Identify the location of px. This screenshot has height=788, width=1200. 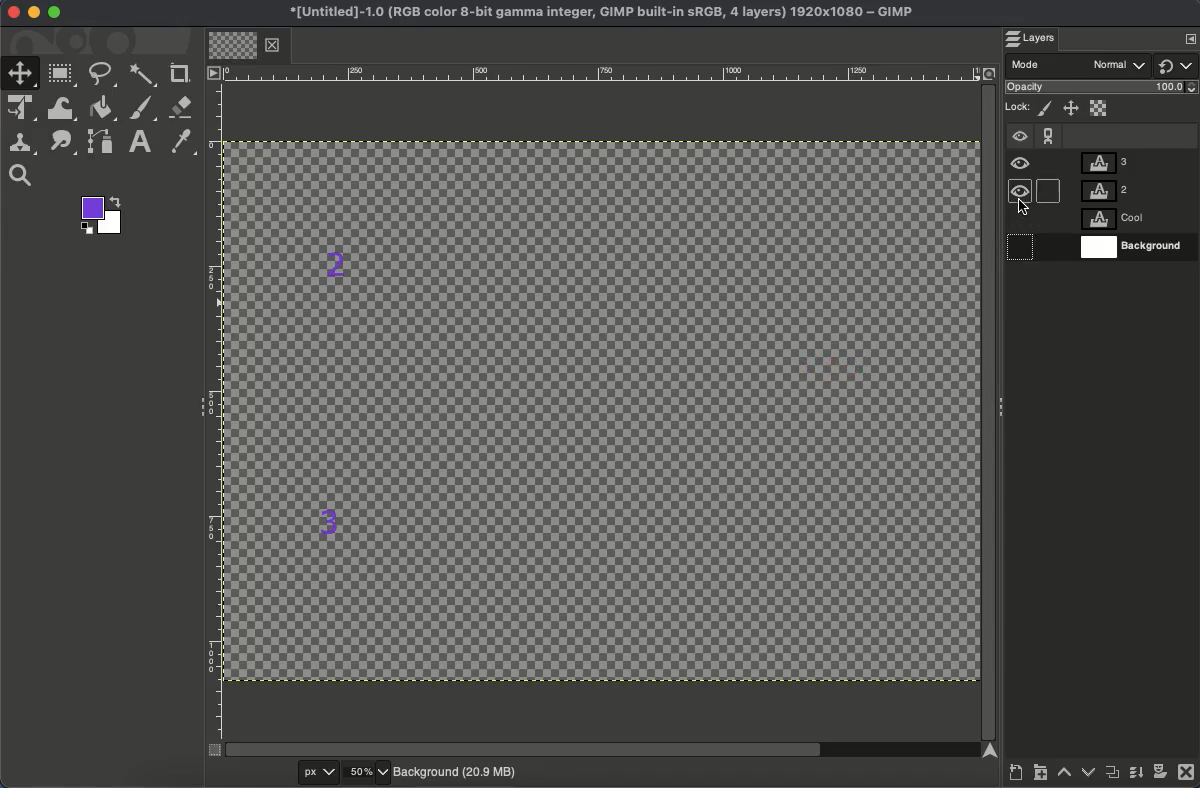
(303, 772).